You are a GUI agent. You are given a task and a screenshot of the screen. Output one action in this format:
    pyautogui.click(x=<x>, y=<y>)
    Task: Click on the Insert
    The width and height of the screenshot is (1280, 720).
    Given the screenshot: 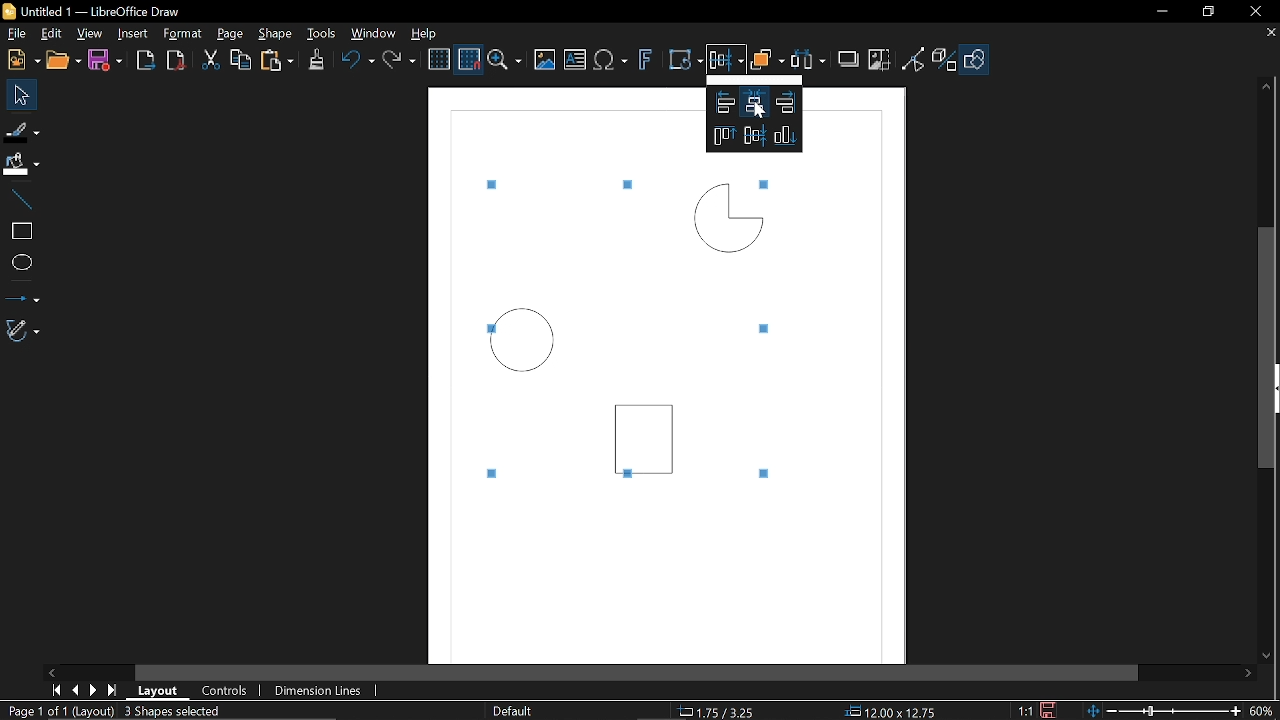 What is the action you would take?
    pyautogui.click(x=133, y=32)
    